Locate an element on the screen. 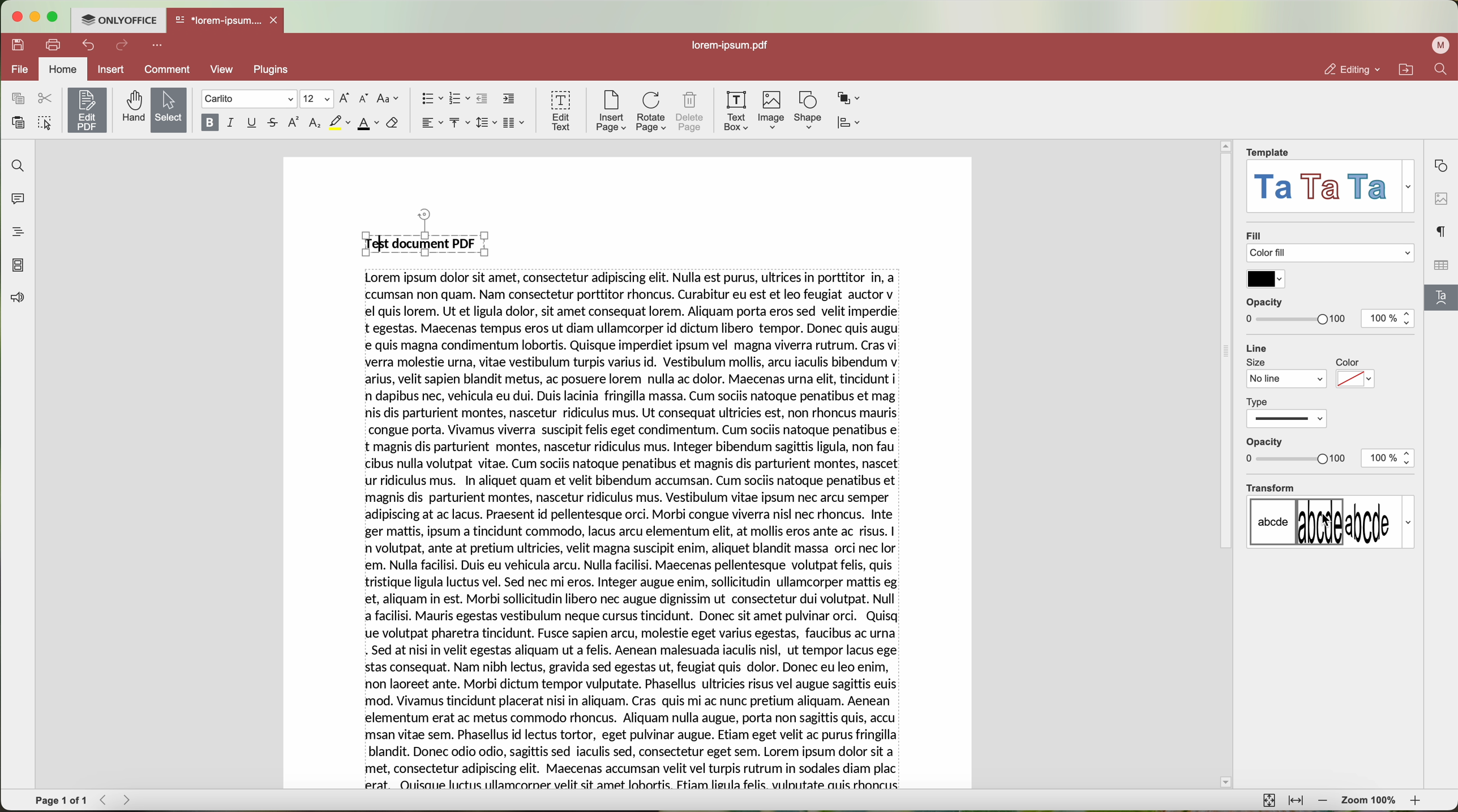 The width and height of the screenshot is (1458, 812). home is located at coordinates (64, 69).